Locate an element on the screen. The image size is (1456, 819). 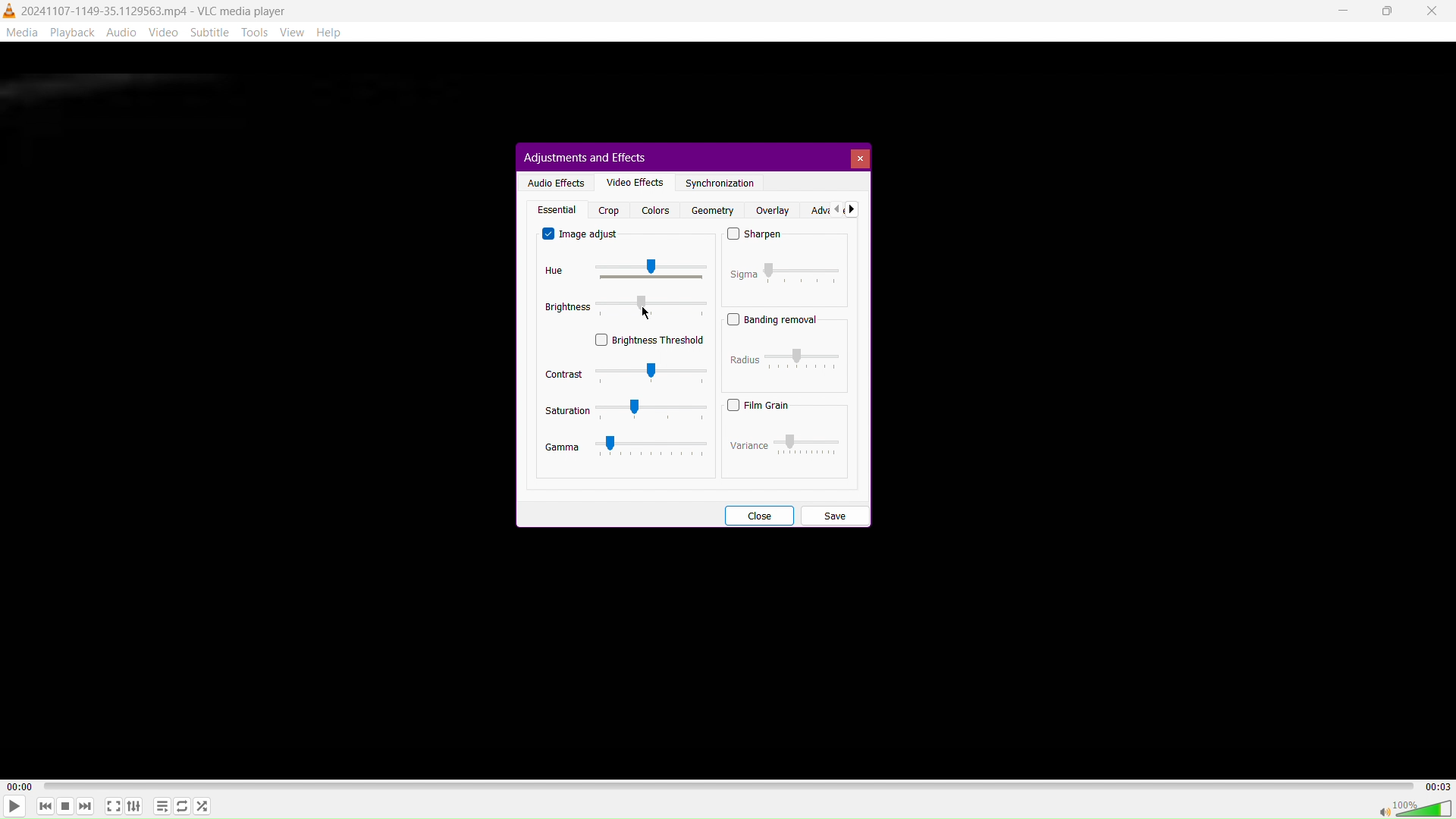
Saturation is located at coordinates (626, 410).